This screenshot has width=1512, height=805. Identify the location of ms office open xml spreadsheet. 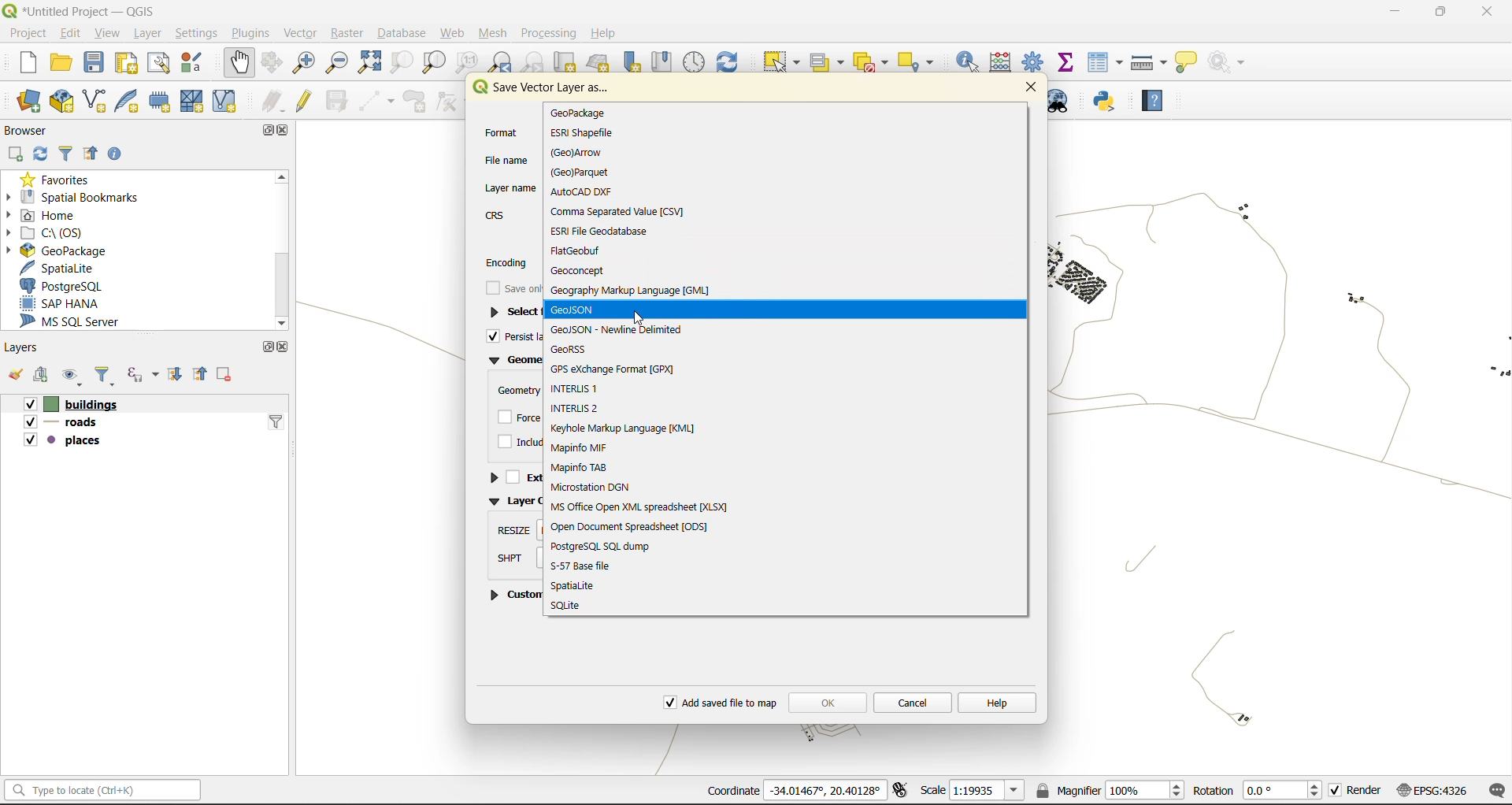
(651, 506).